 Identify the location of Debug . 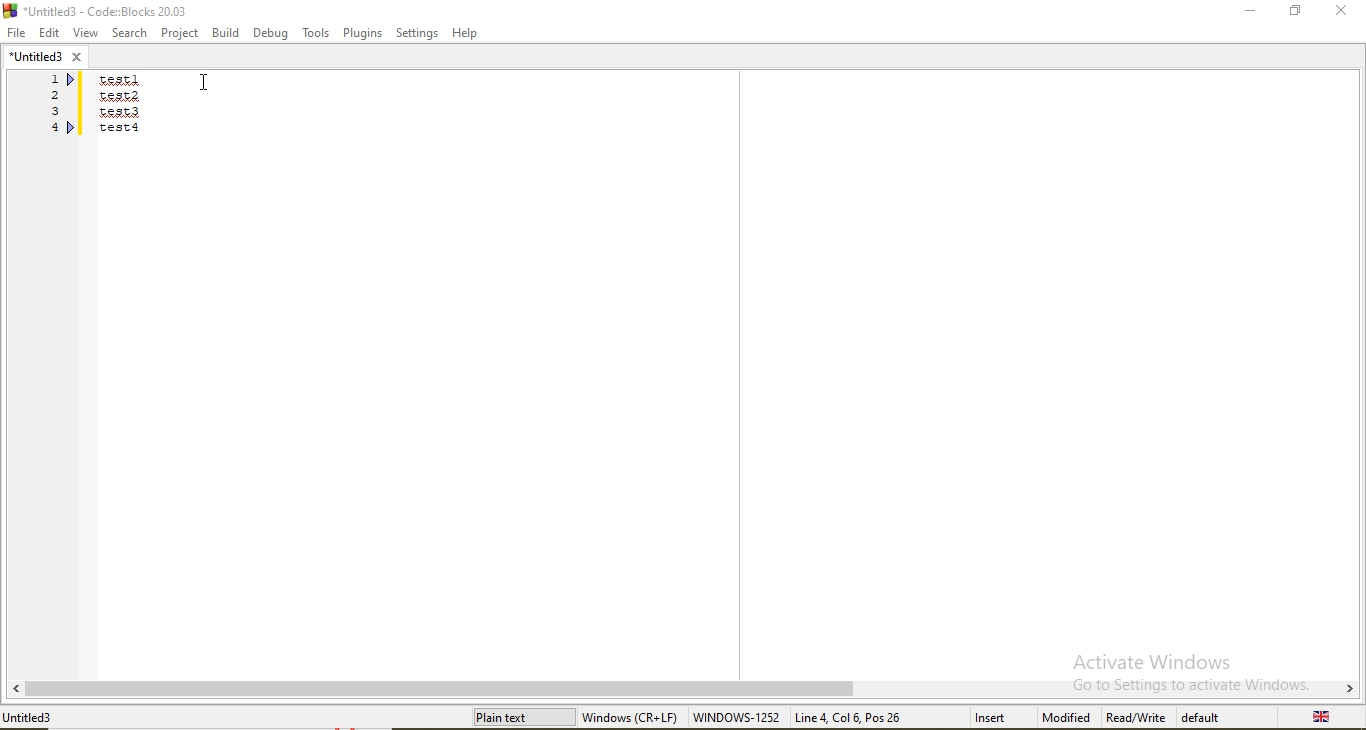
(271, 32).